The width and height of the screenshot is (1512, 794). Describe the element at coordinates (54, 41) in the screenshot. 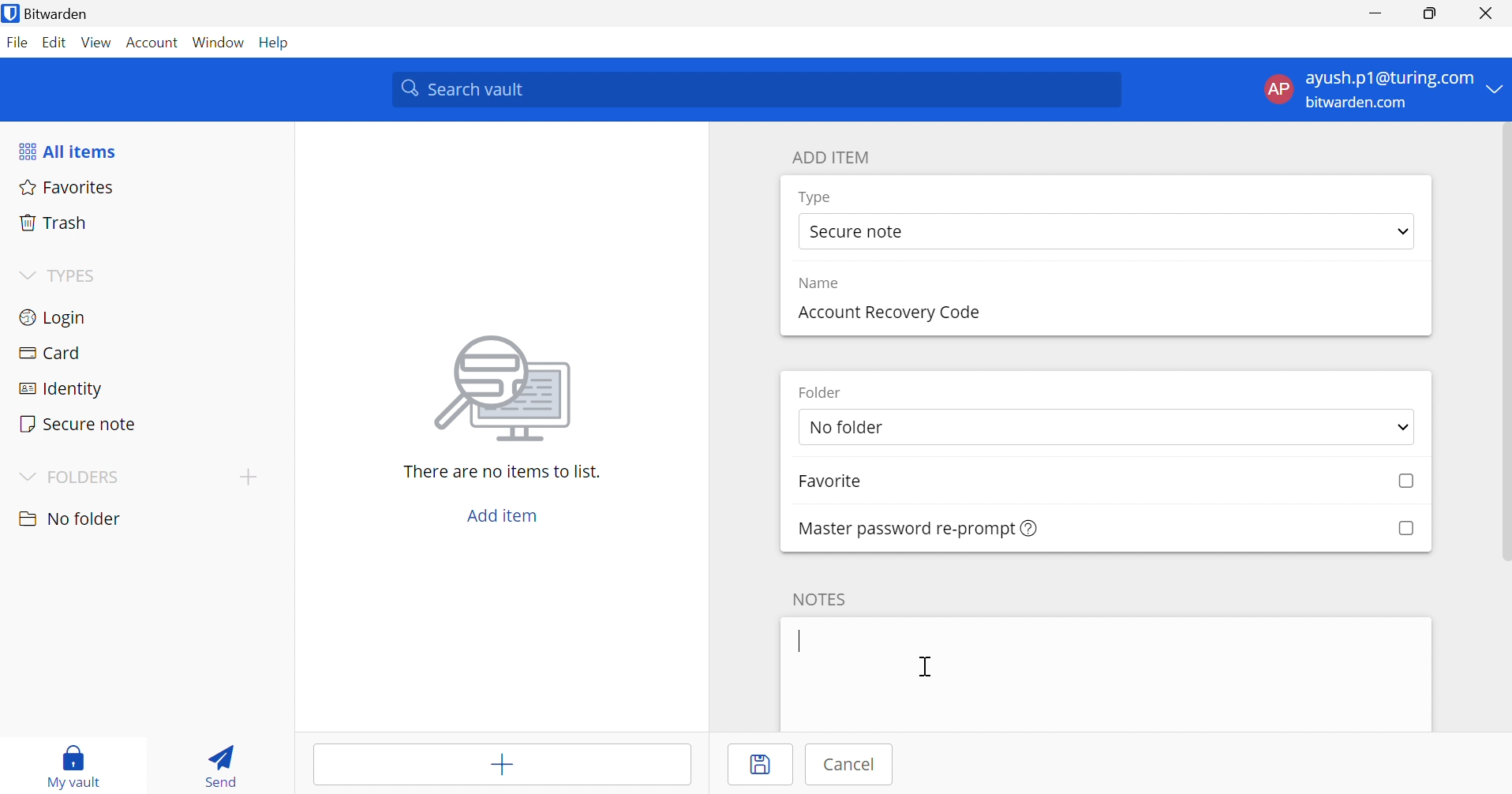

I see `Edit` at that location.